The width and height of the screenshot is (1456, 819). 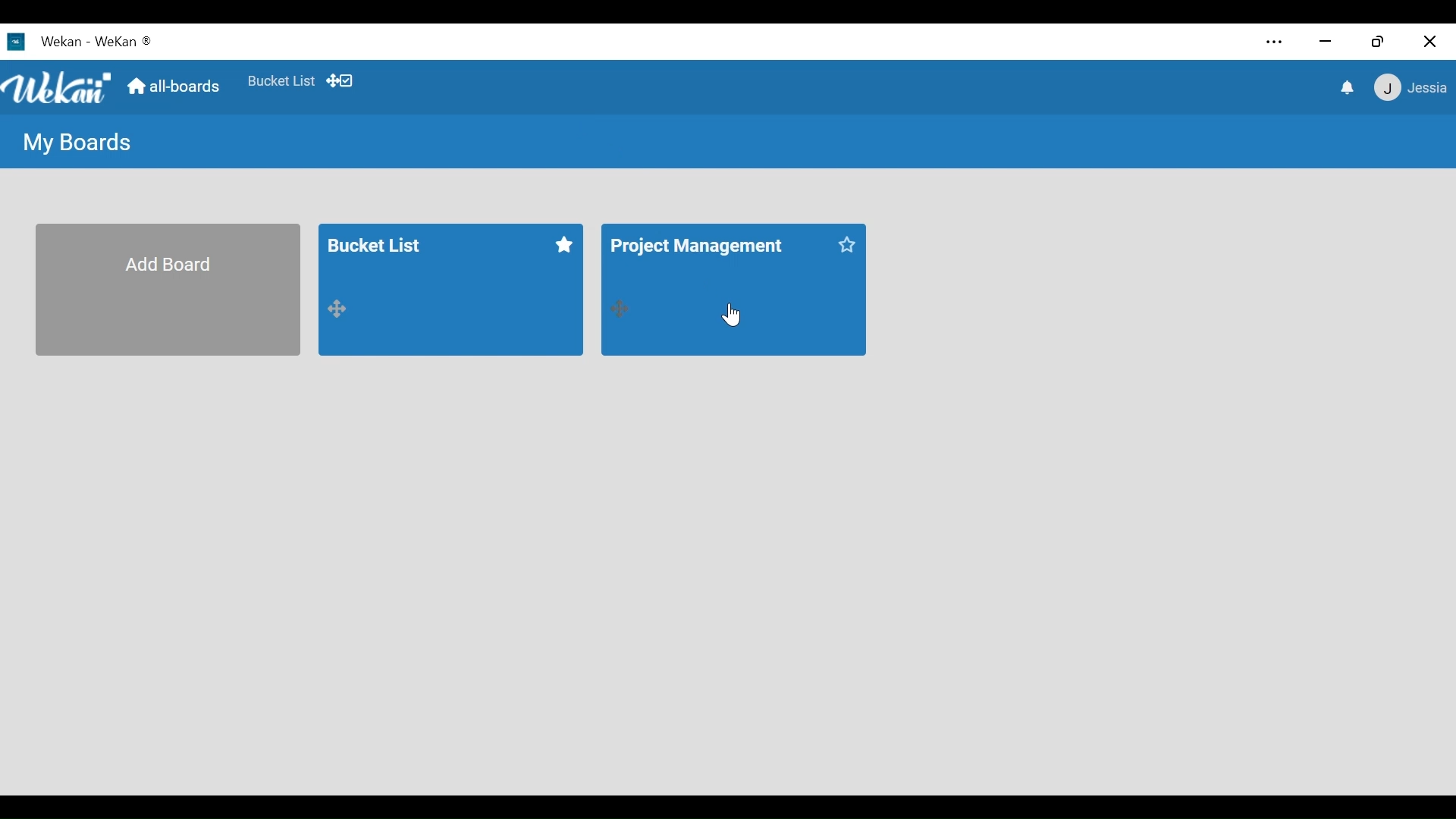 I want to click on favorites, so click(x=279, y=78).